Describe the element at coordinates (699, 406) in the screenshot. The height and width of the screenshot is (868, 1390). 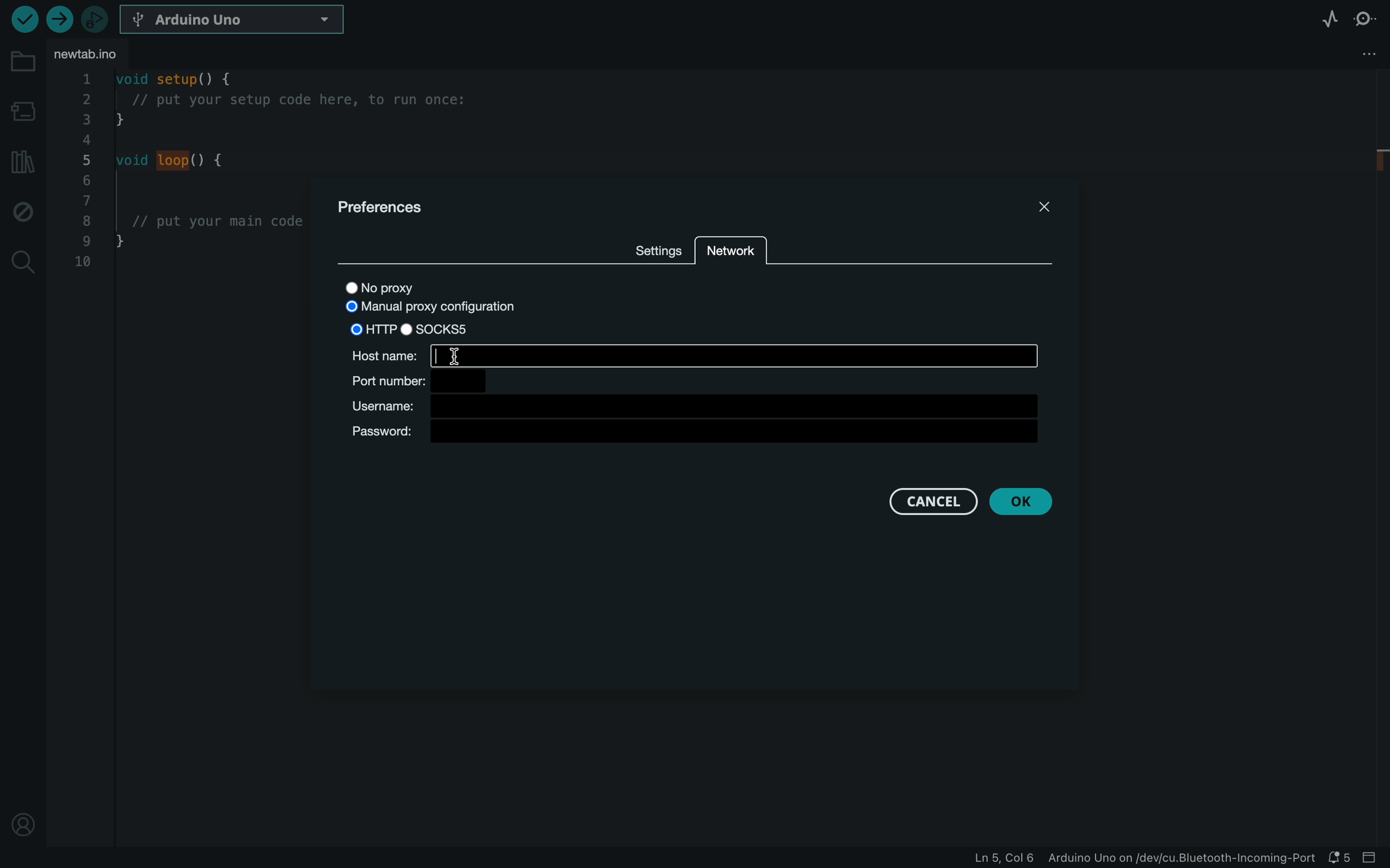
I see `username` at that location.